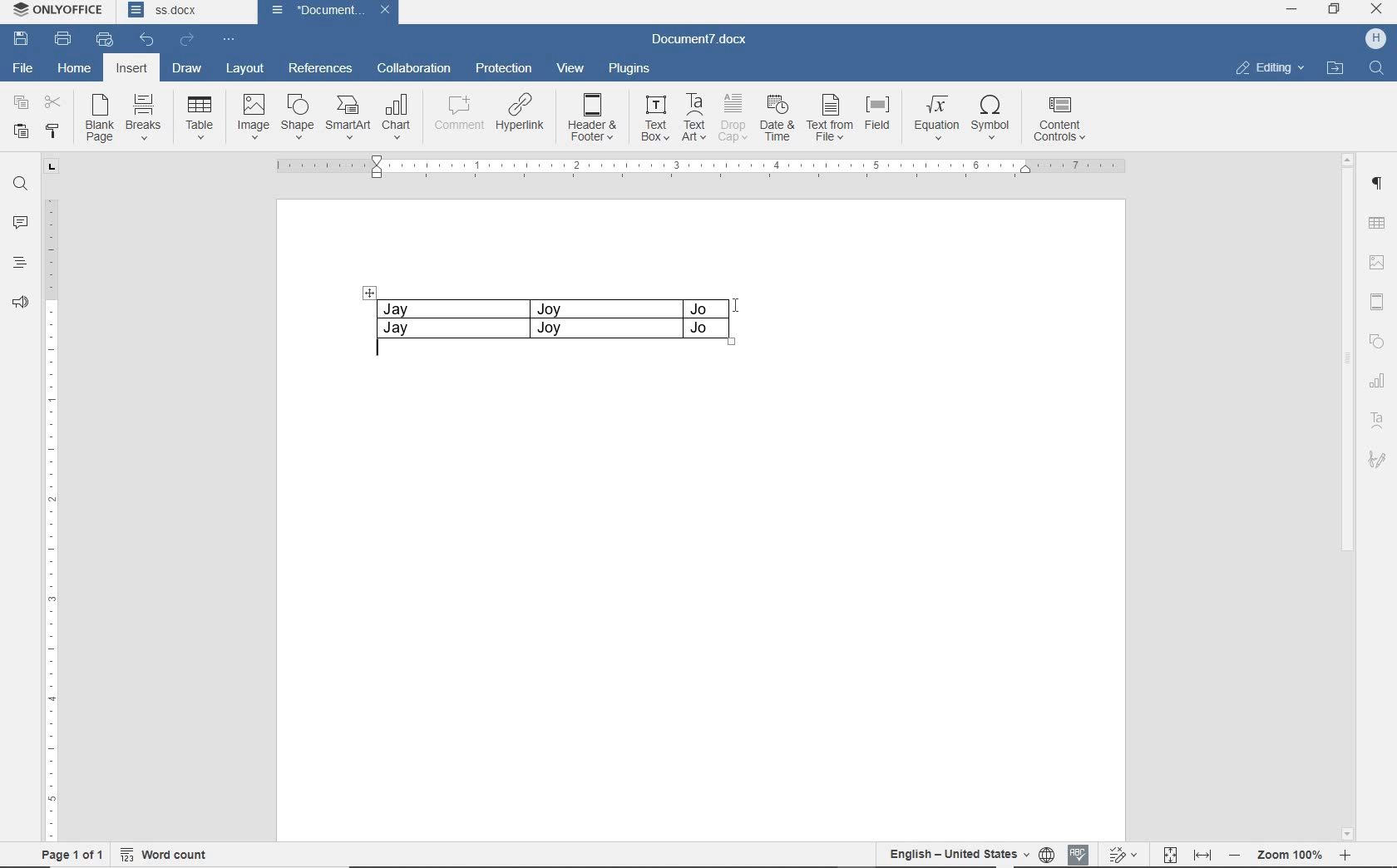  Describe the element at coordinates (397, 118) in the screenshot. I see `CHART` at that location.